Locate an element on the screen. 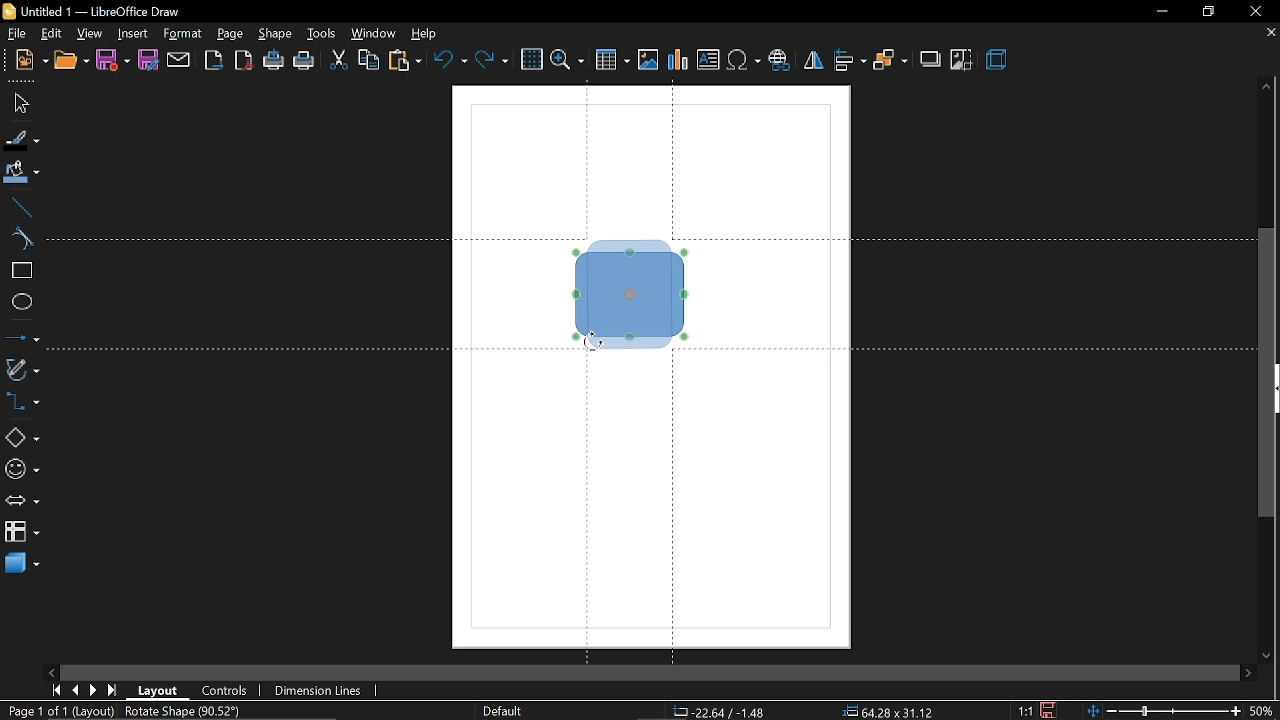  3d effect is located at coordinates (1000, 60).